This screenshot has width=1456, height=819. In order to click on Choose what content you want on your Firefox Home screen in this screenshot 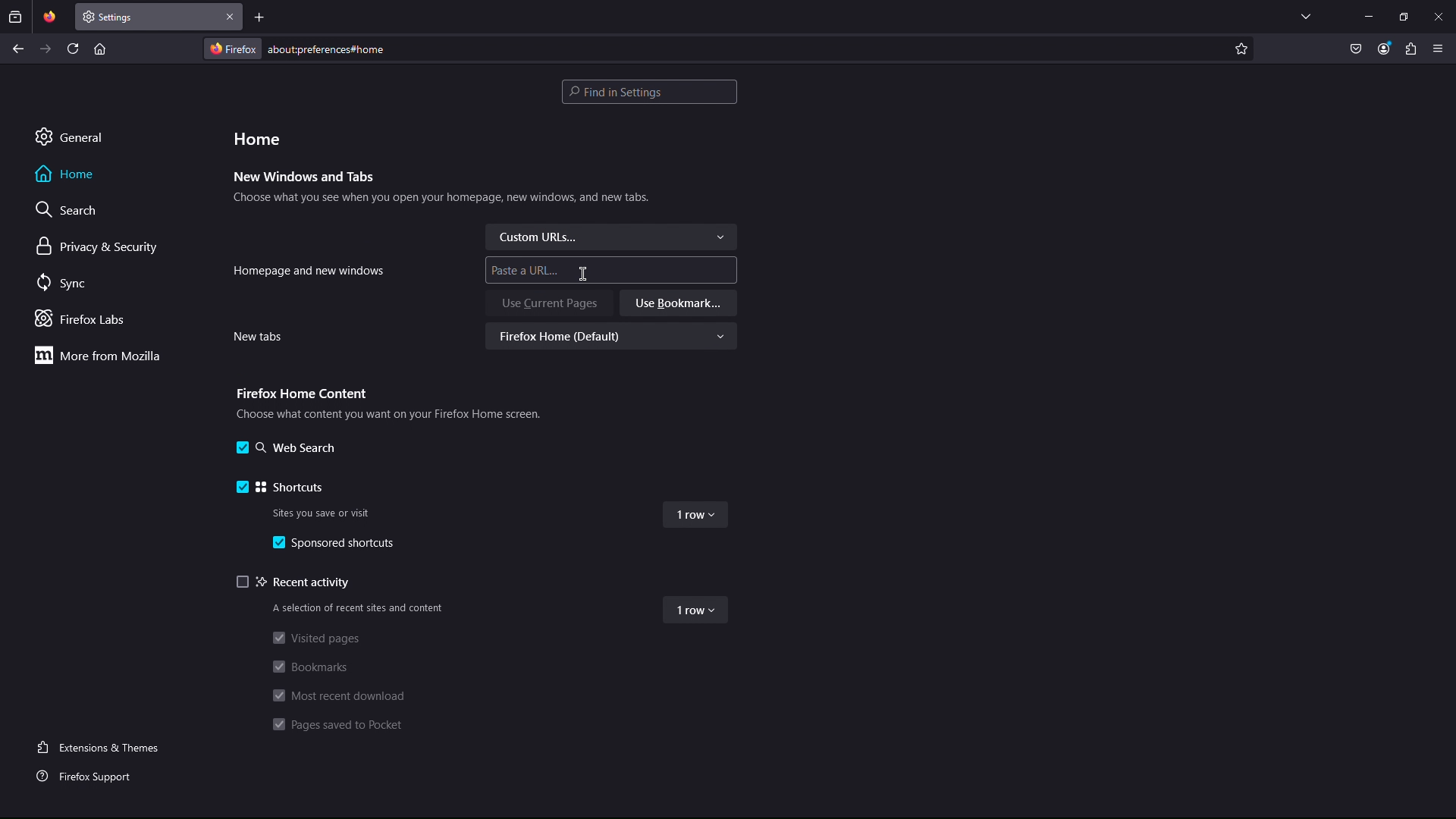, I will do `click(384, 413)`.